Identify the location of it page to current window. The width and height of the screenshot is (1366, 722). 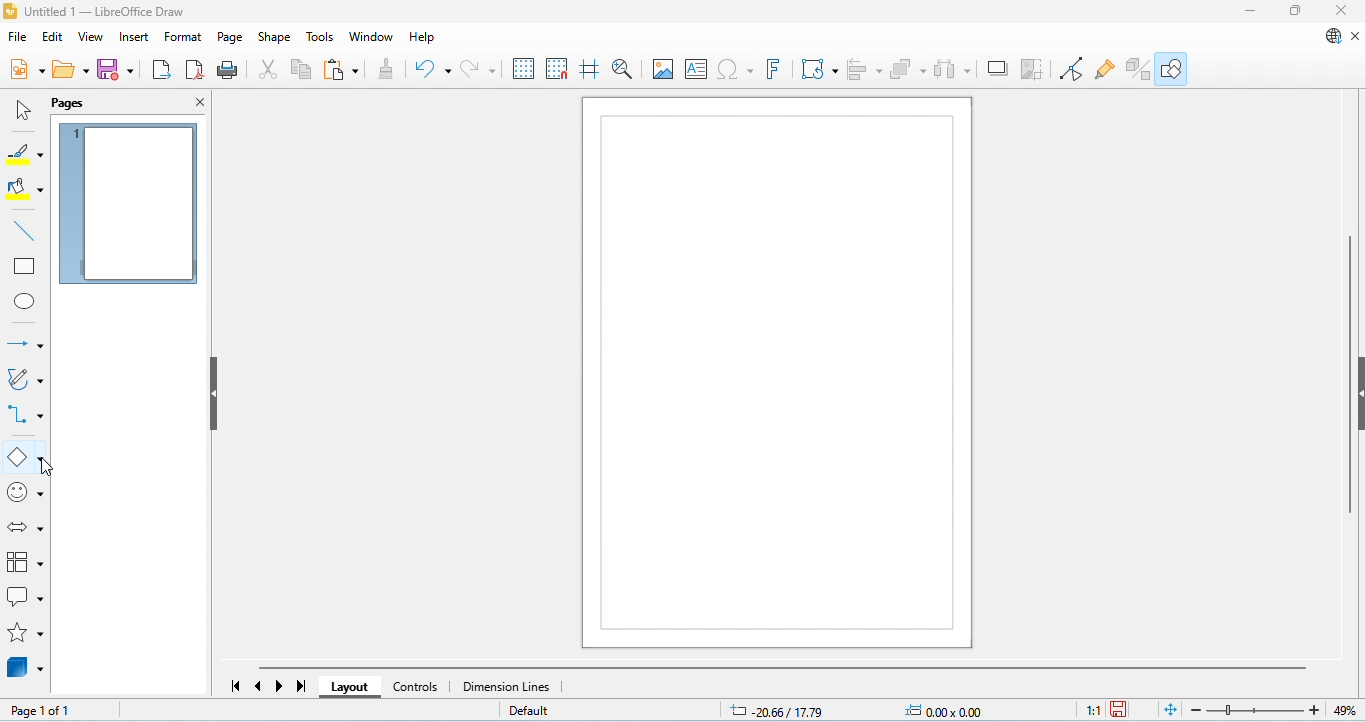
(1171, 709).